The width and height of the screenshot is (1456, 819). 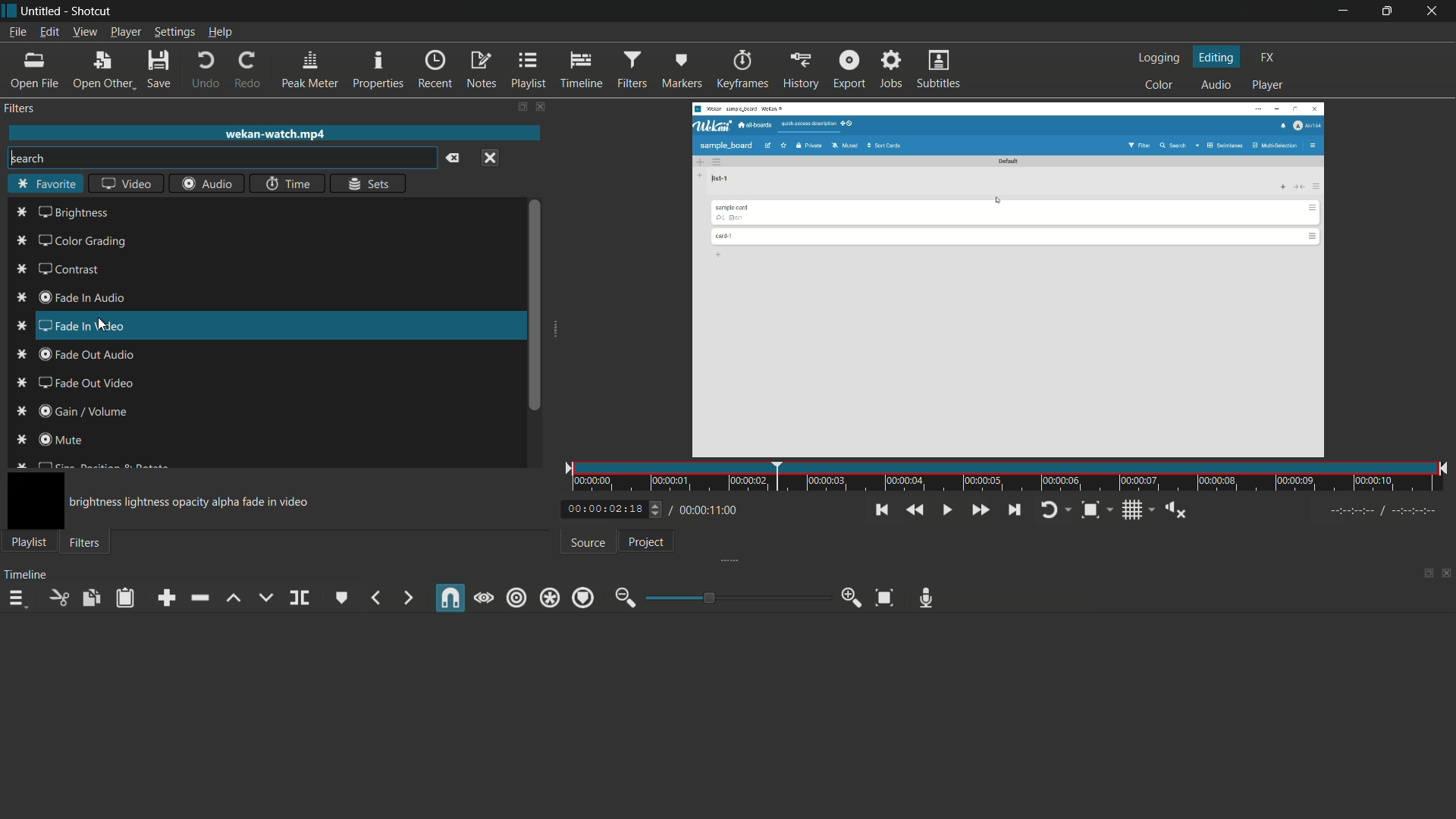 What do you see at coordinates (70, 240) in the screenshot?
I see `color grading` at bounding box center [70, 240].